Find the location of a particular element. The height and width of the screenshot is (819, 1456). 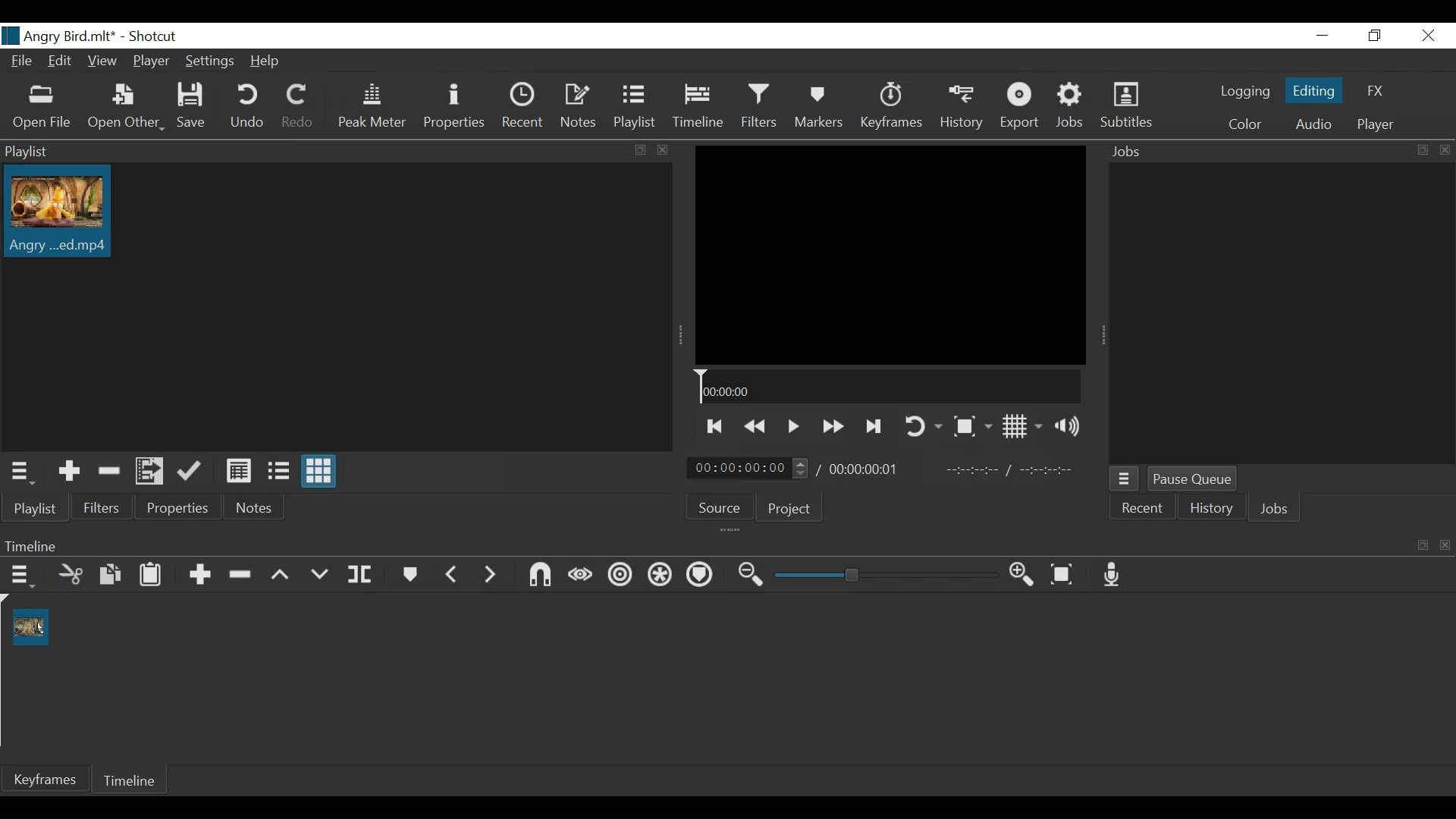

Peak Meter is located at coordinates (370, 106).